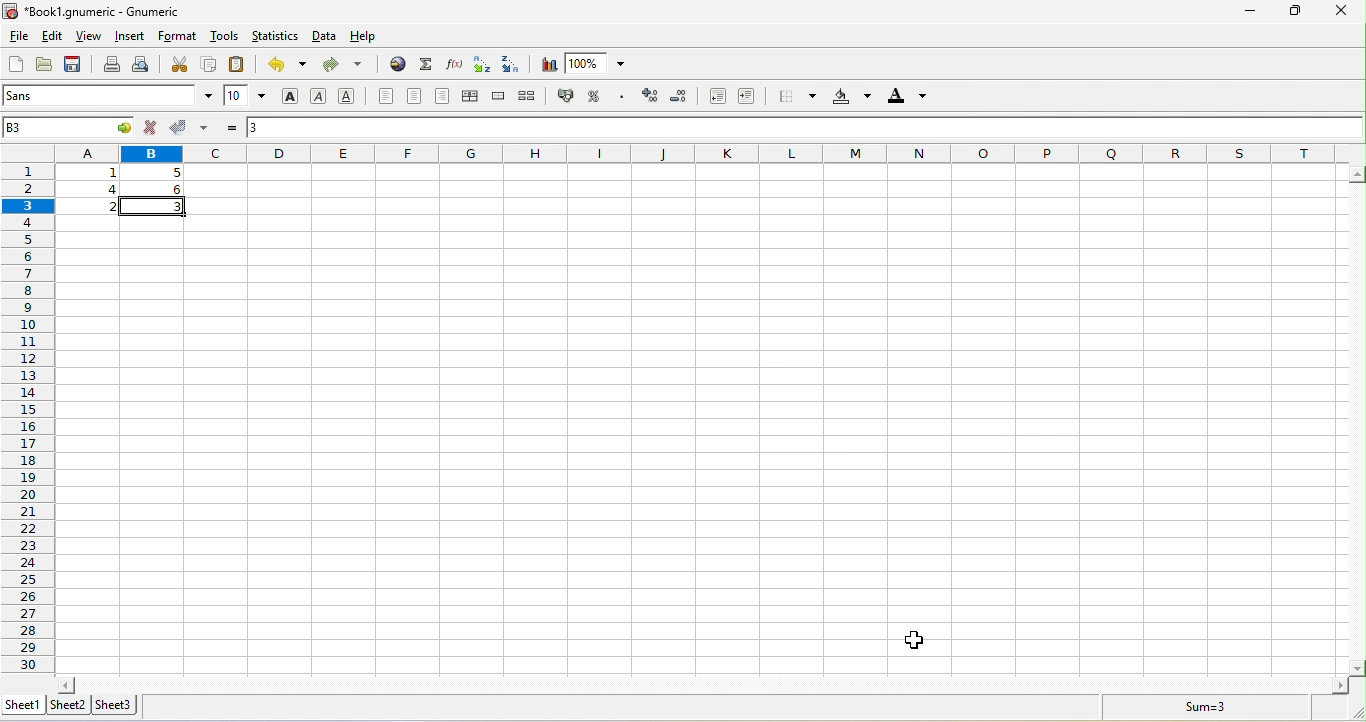 This screenshot has height=722, width=1366. What do you see at coordinates (549, 64) in the screenshot?
I see `chart` at bounding box center [549, 64].